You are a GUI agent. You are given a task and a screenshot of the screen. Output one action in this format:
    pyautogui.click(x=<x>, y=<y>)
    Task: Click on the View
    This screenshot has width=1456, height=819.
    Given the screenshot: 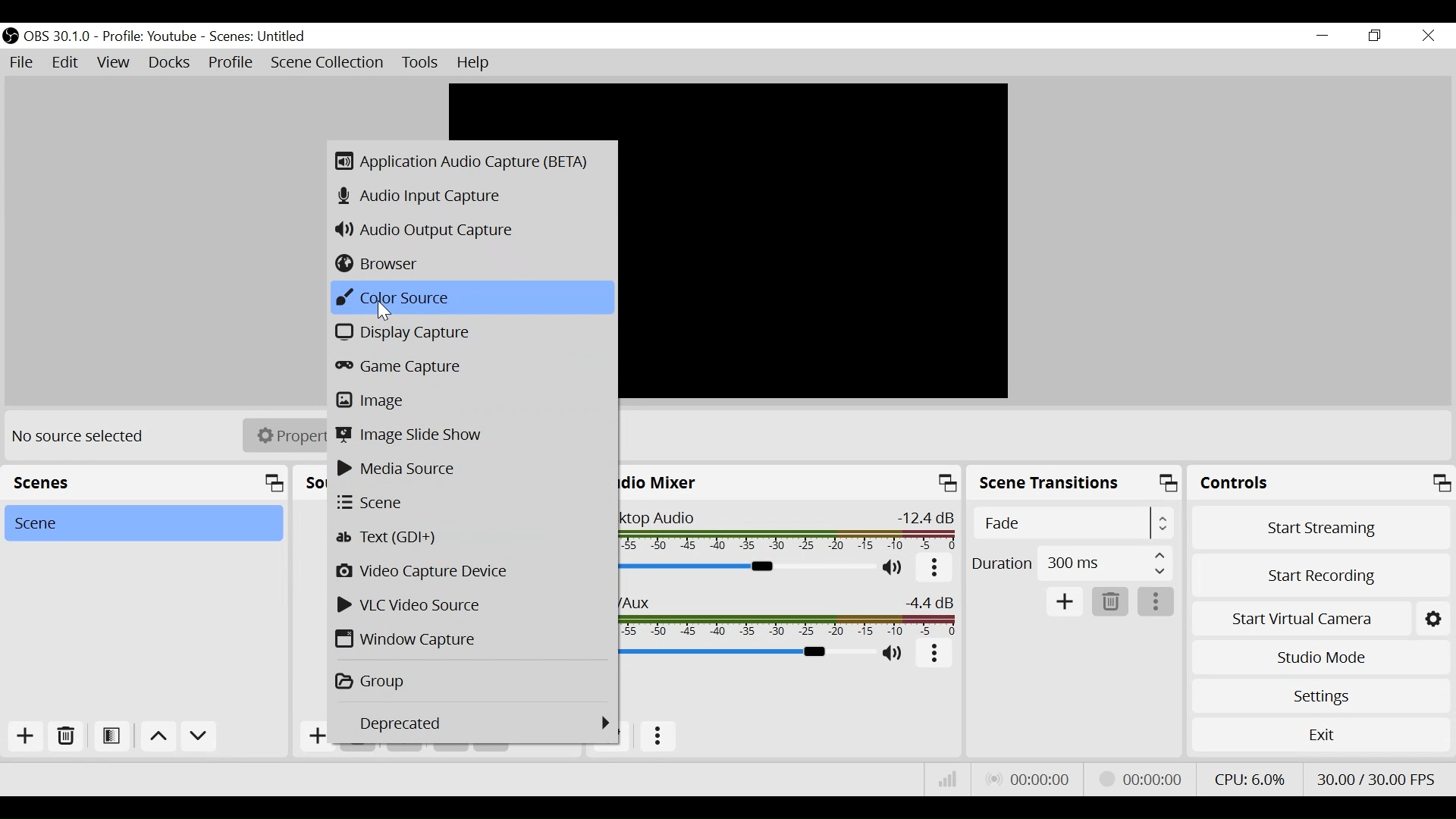 What is the action you would take?
    pyautogui.click(x=112, y=62)
    